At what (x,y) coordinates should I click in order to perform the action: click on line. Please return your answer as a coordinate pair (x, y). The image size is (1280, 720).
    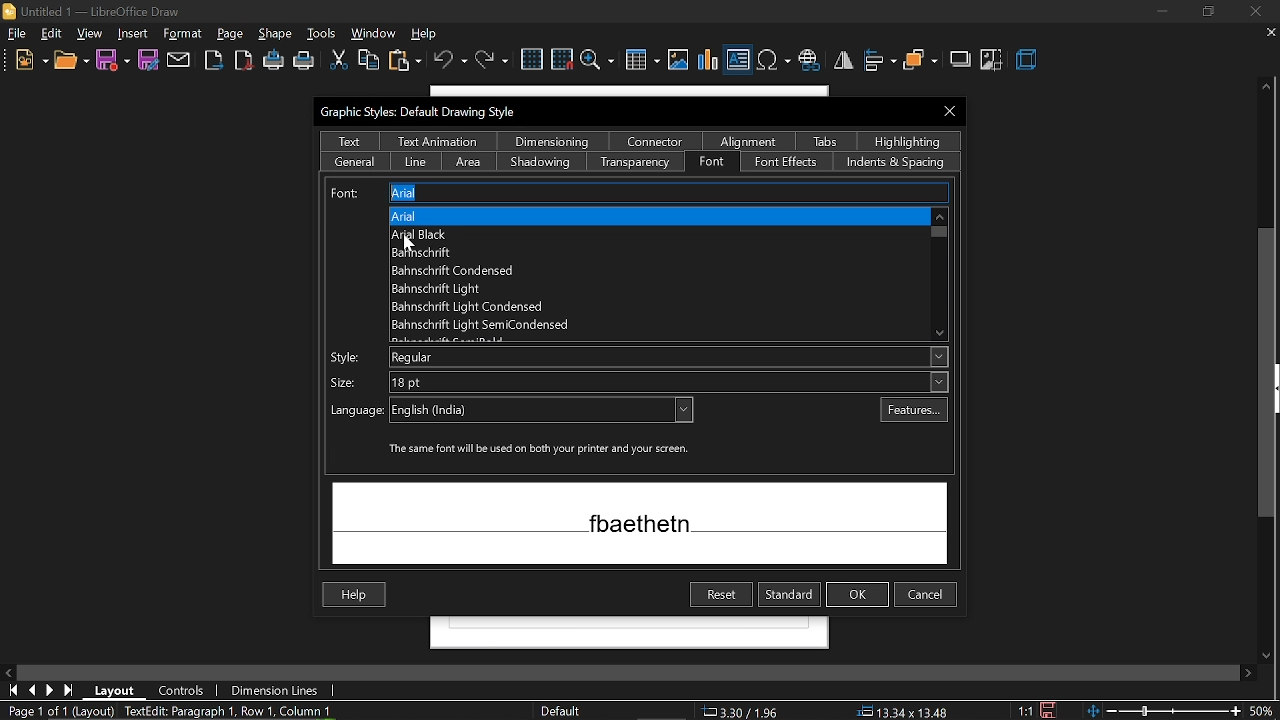
    Looking at the image, I should click on (415, 161).